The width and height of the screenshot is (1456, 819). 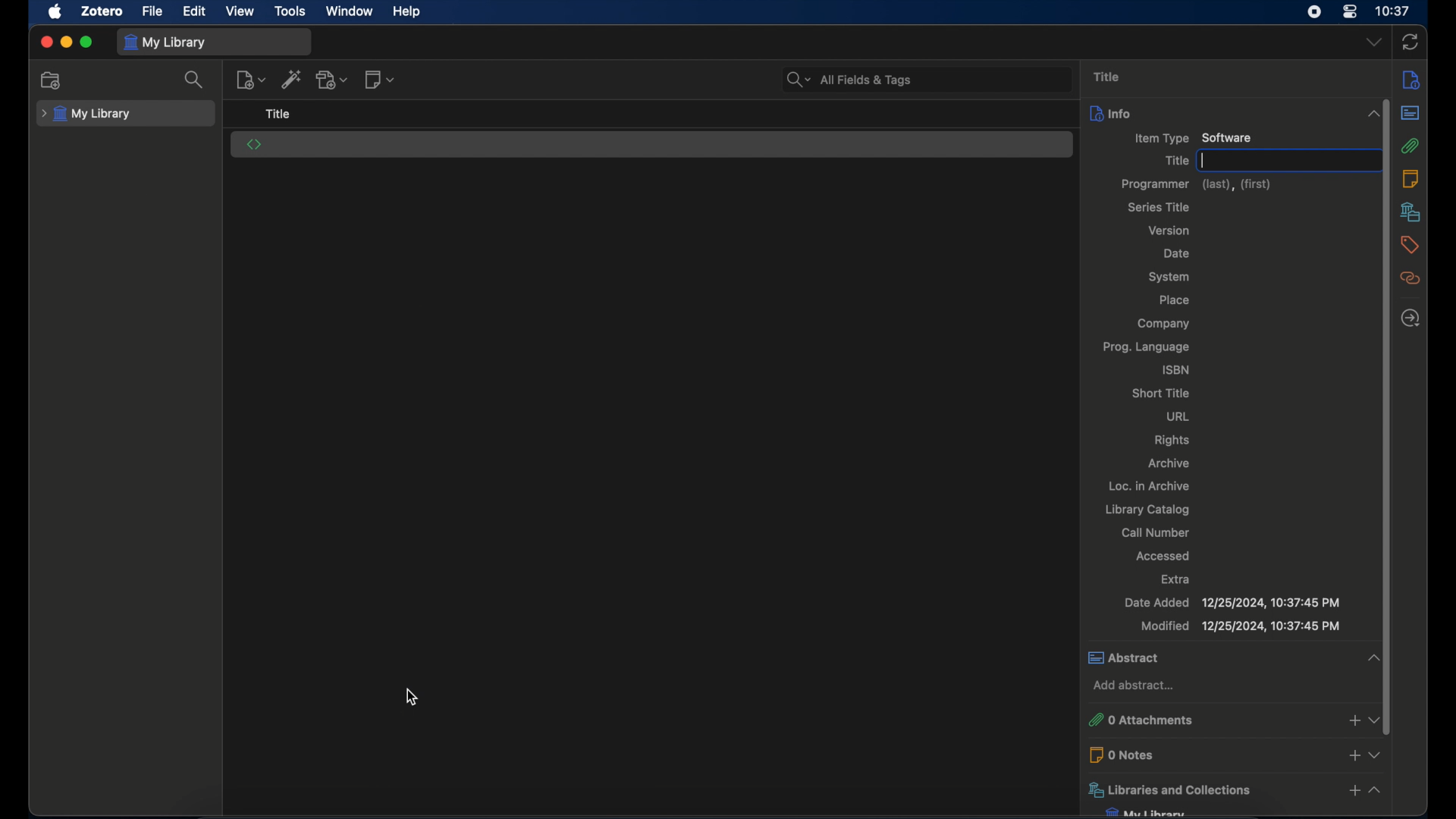 What do you see at coordinates (349, 11) in the screenshot?
I see `window` at bounding box center [349, 11].